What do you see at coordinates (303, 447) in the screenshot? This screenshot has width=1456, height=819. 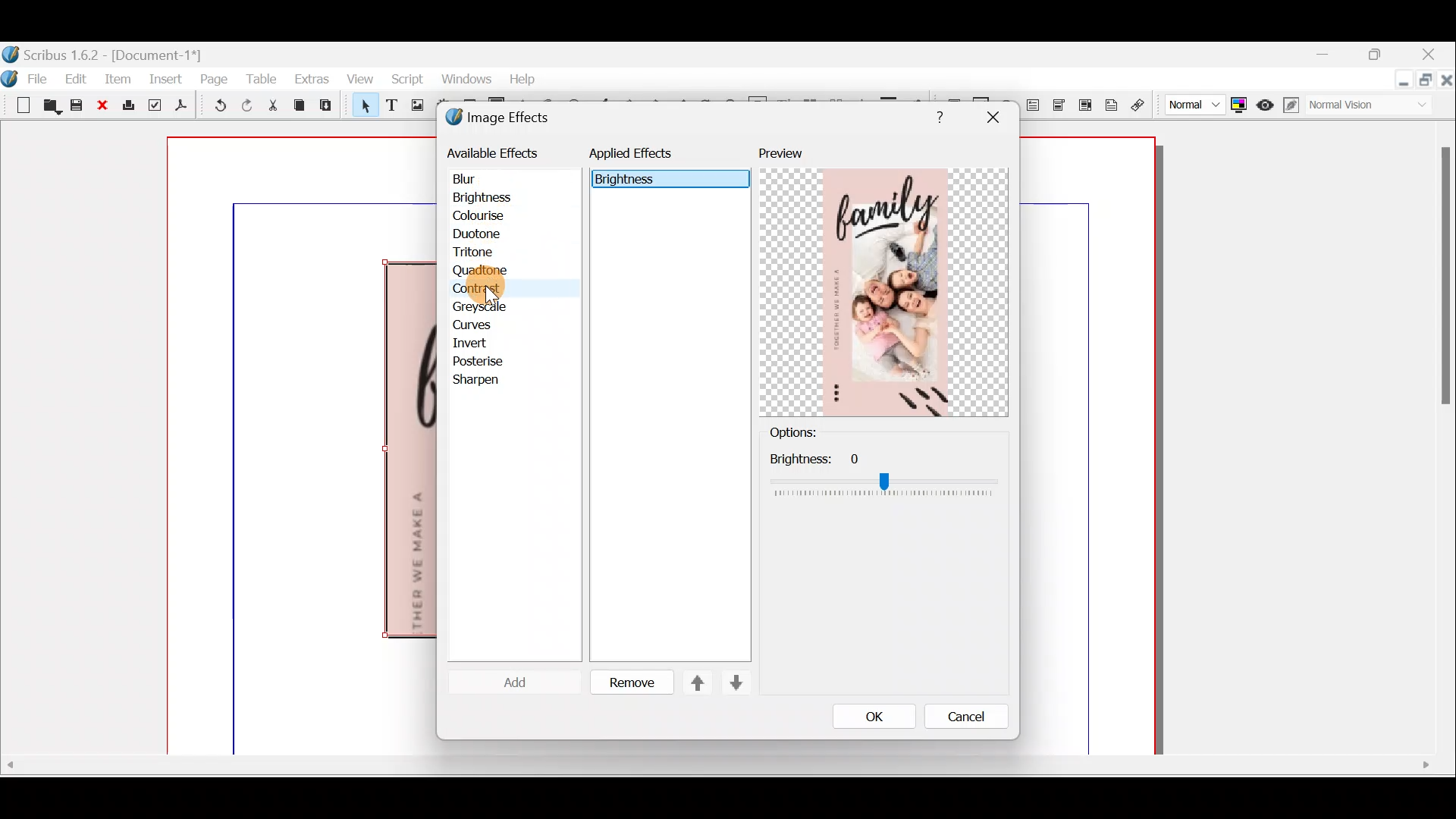 I see `Canvas` at bounding box center [303, 447].